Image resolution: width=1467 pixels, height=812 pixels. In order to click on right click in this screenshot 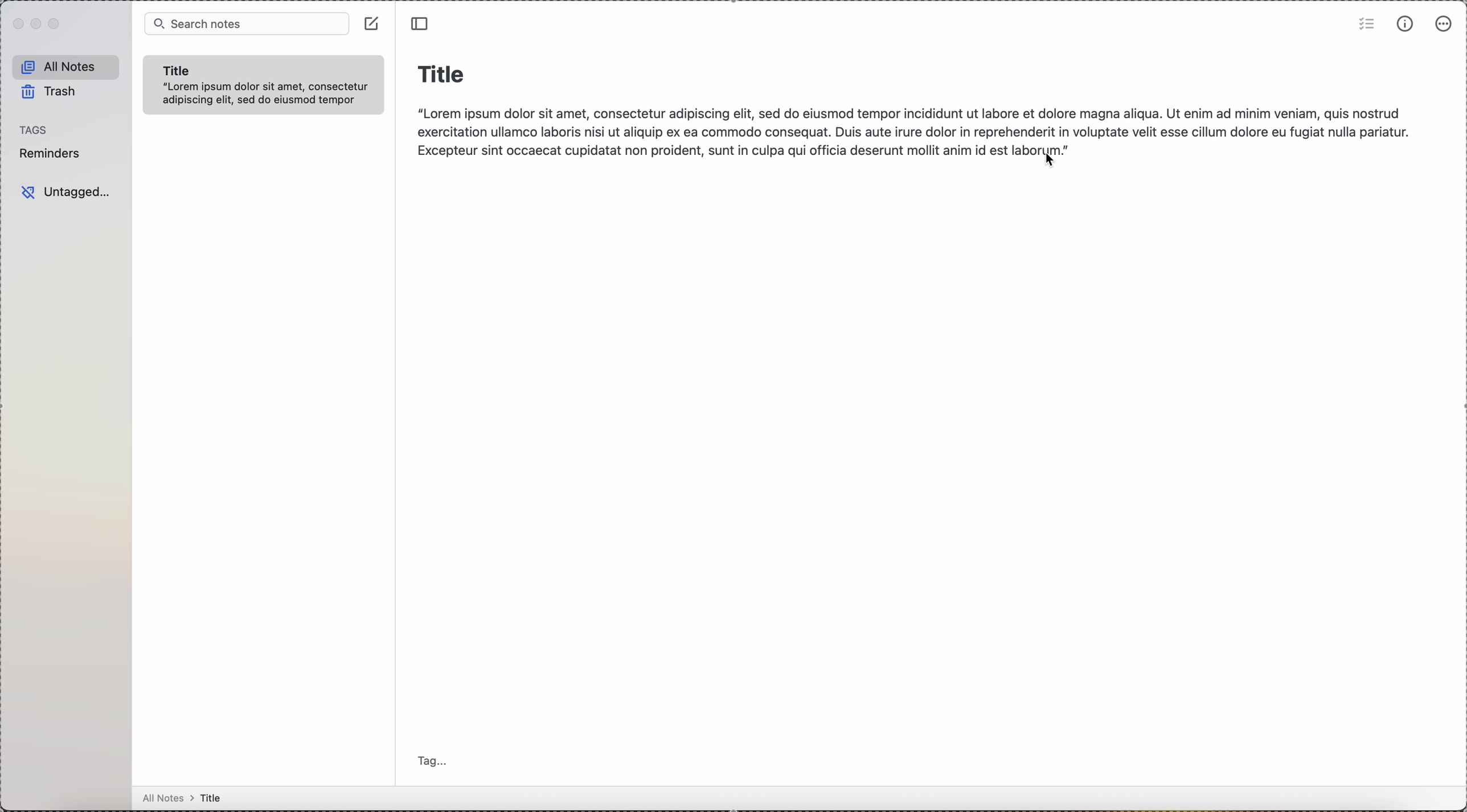, I will do `click(1051, 163)`.